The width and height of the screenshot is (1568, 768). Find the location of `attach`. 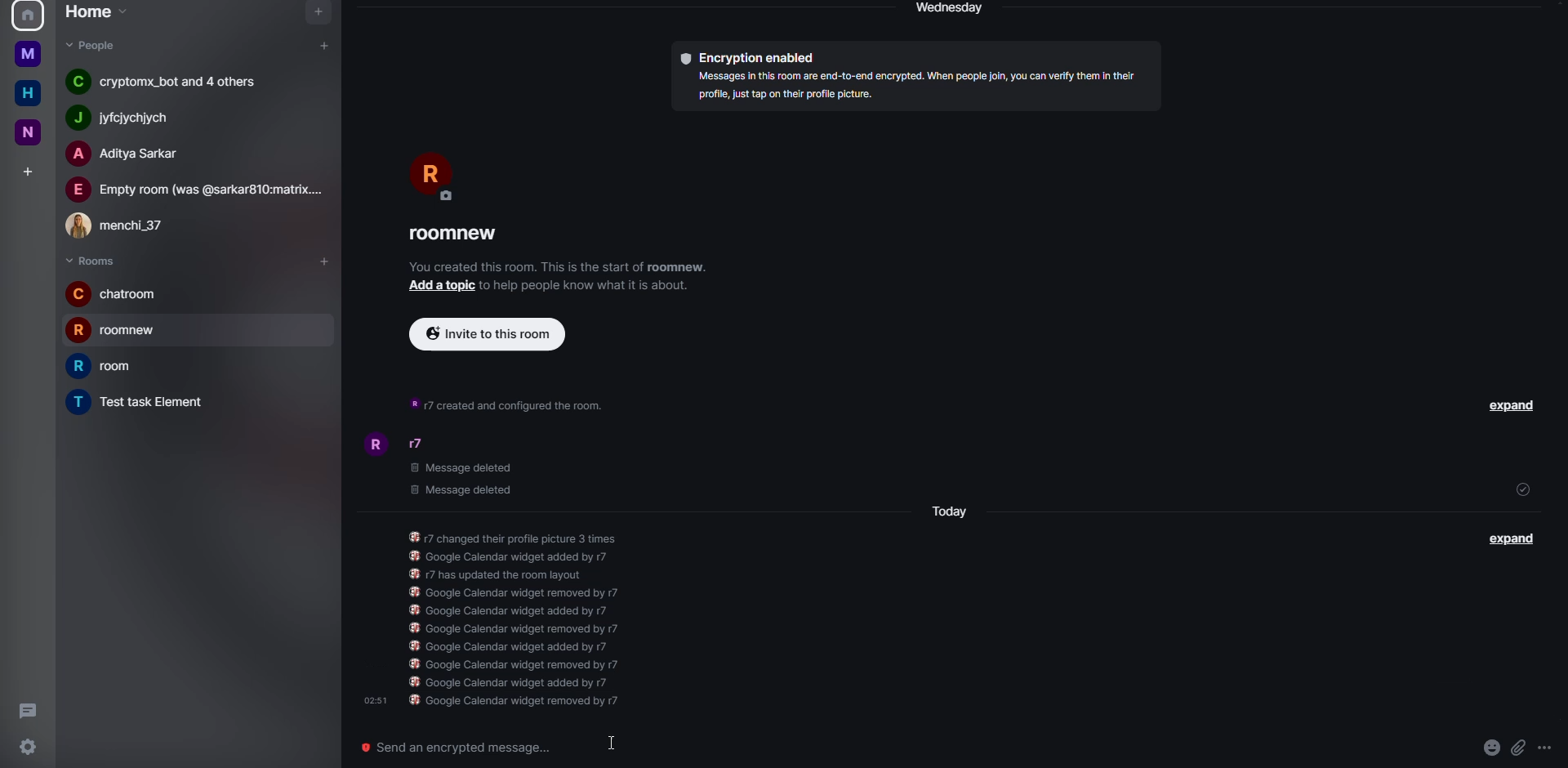

attach is located at coordinates (1517, 747).